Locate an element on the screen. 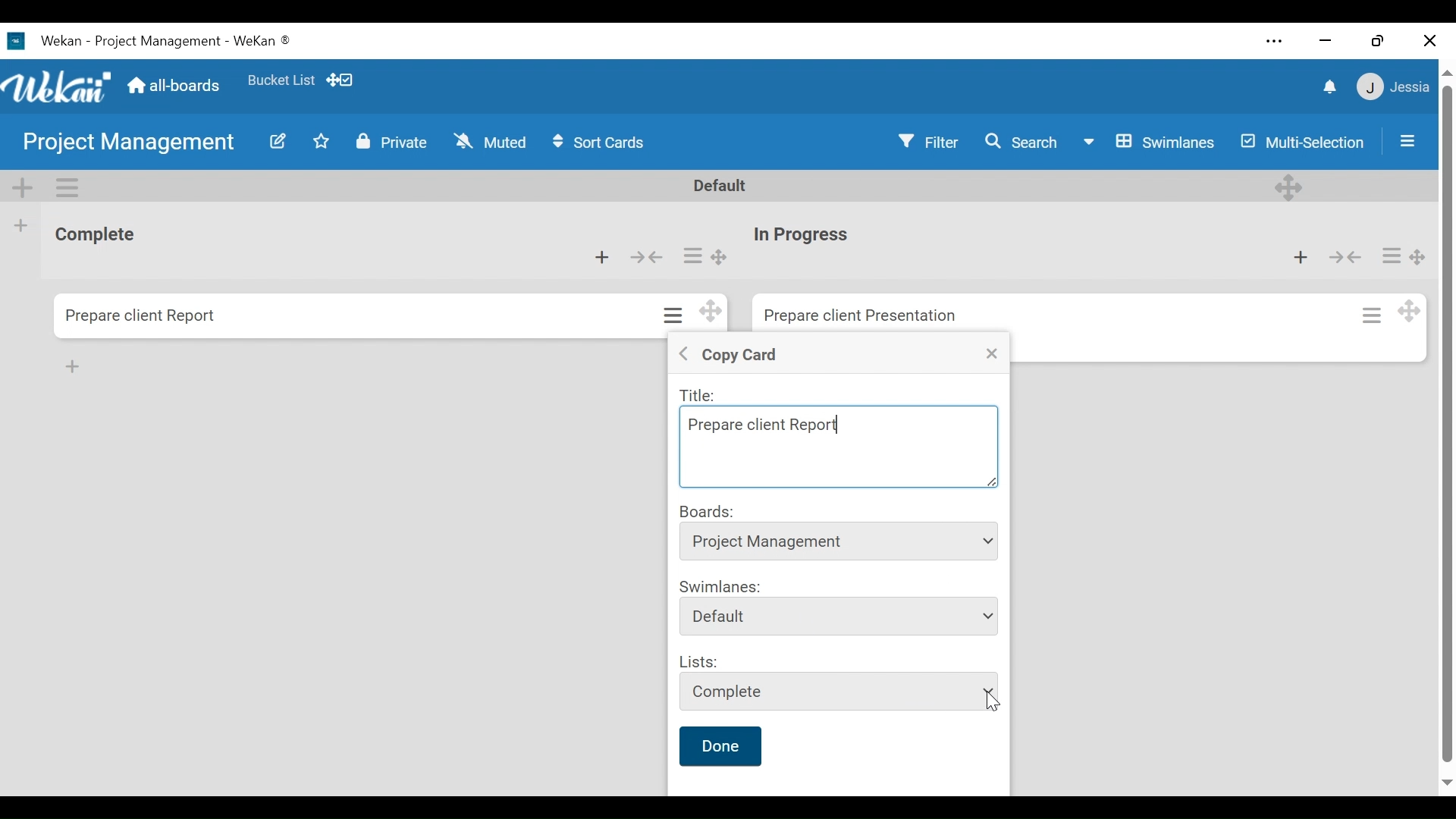  Multi-Selection is located at coordinates (1307, 141).